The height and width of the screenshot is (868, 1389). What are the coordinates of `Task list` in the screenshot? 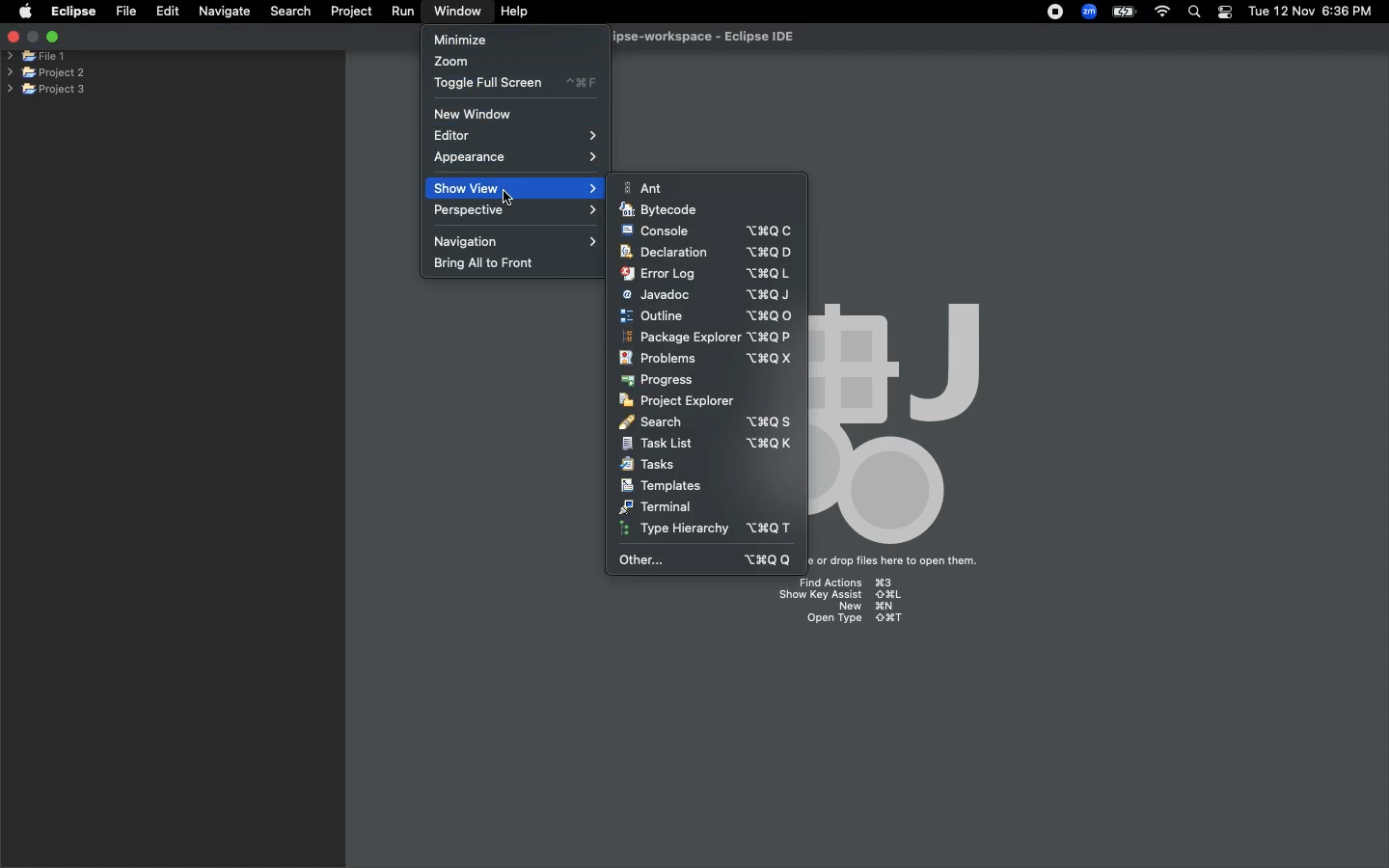 It's located at (707, 444).